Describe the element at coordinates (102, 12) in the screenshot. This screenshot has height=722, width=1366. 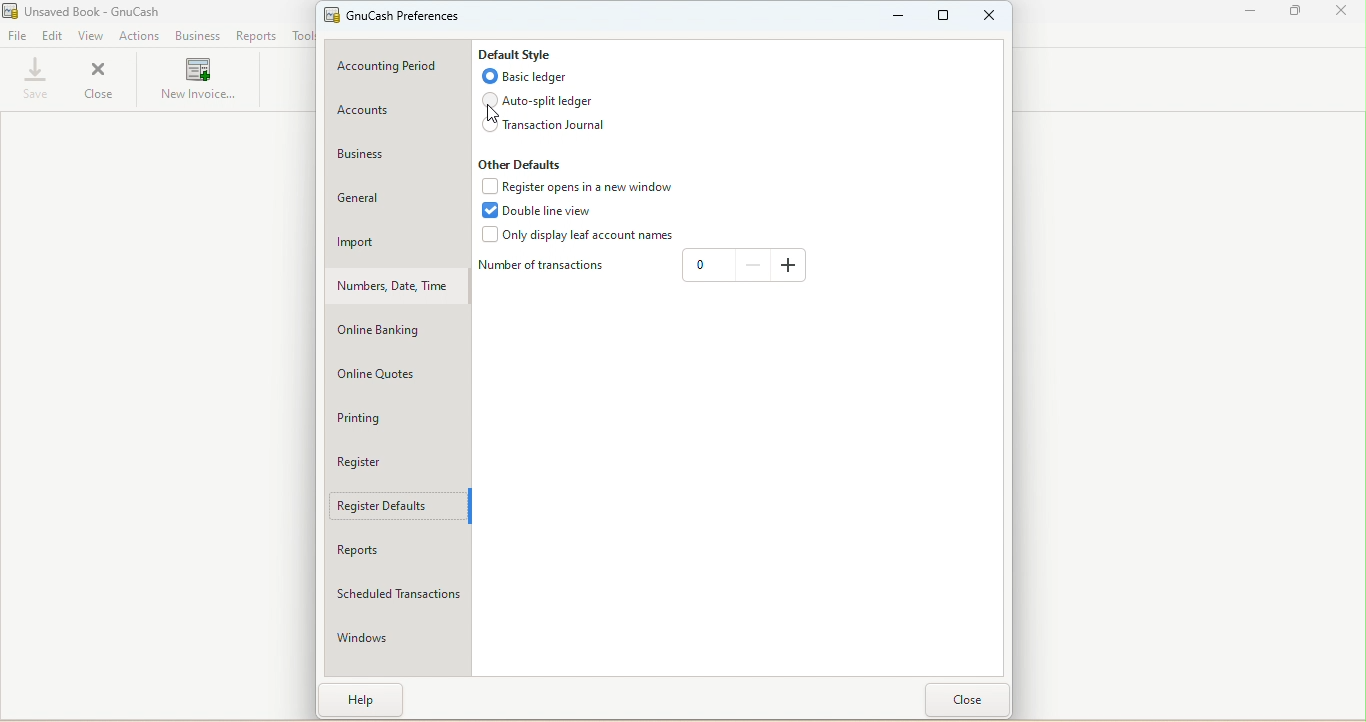
I see `File name` at that location.